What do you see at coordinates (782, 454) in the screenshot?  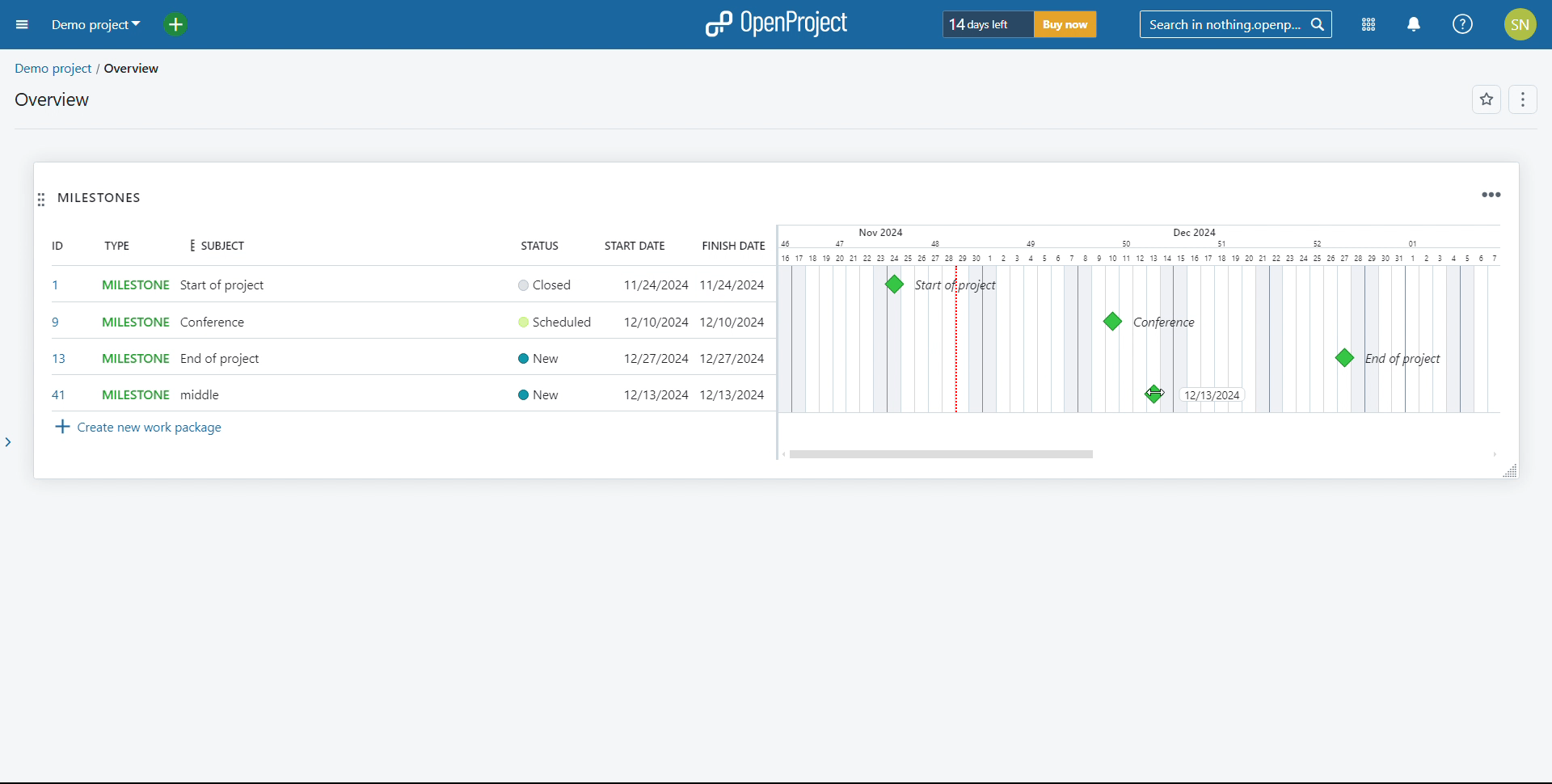 I see `scroll left` at bounding box center [782, 454].